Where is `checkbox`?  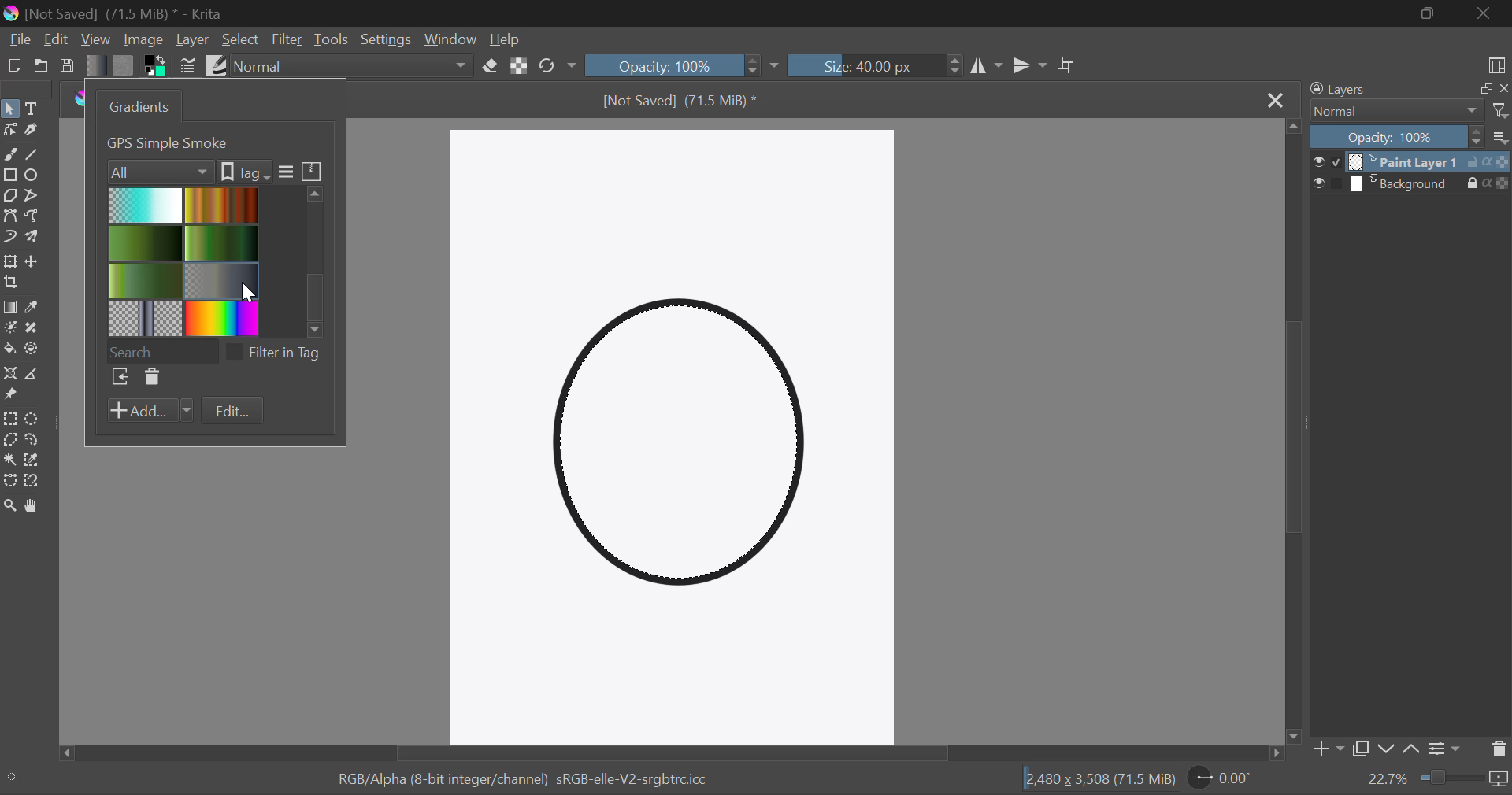 checkbox is located at coordinates (1326, 162).